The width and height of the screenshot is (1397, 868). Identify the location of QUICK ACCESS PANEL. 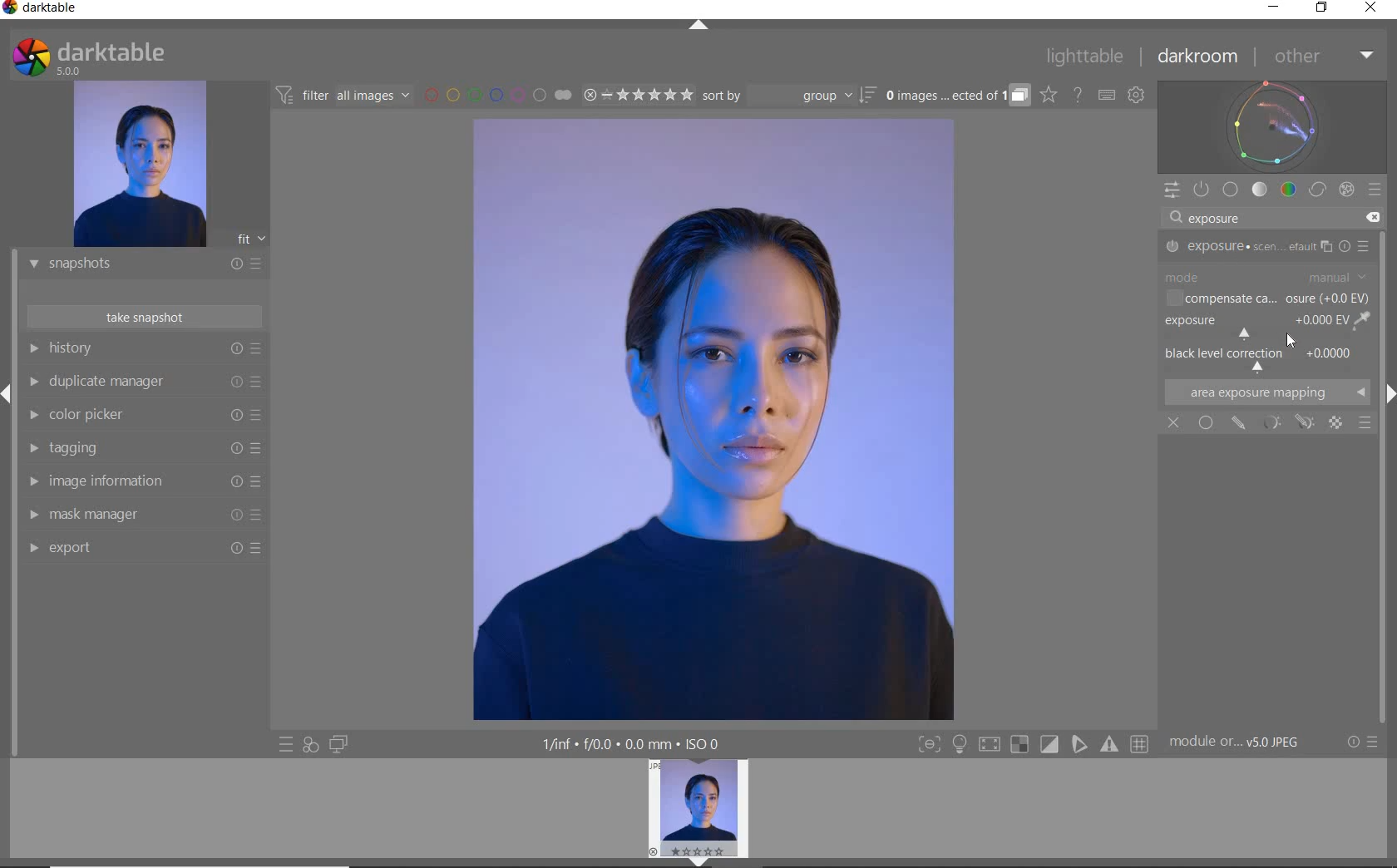
(1171, 191).